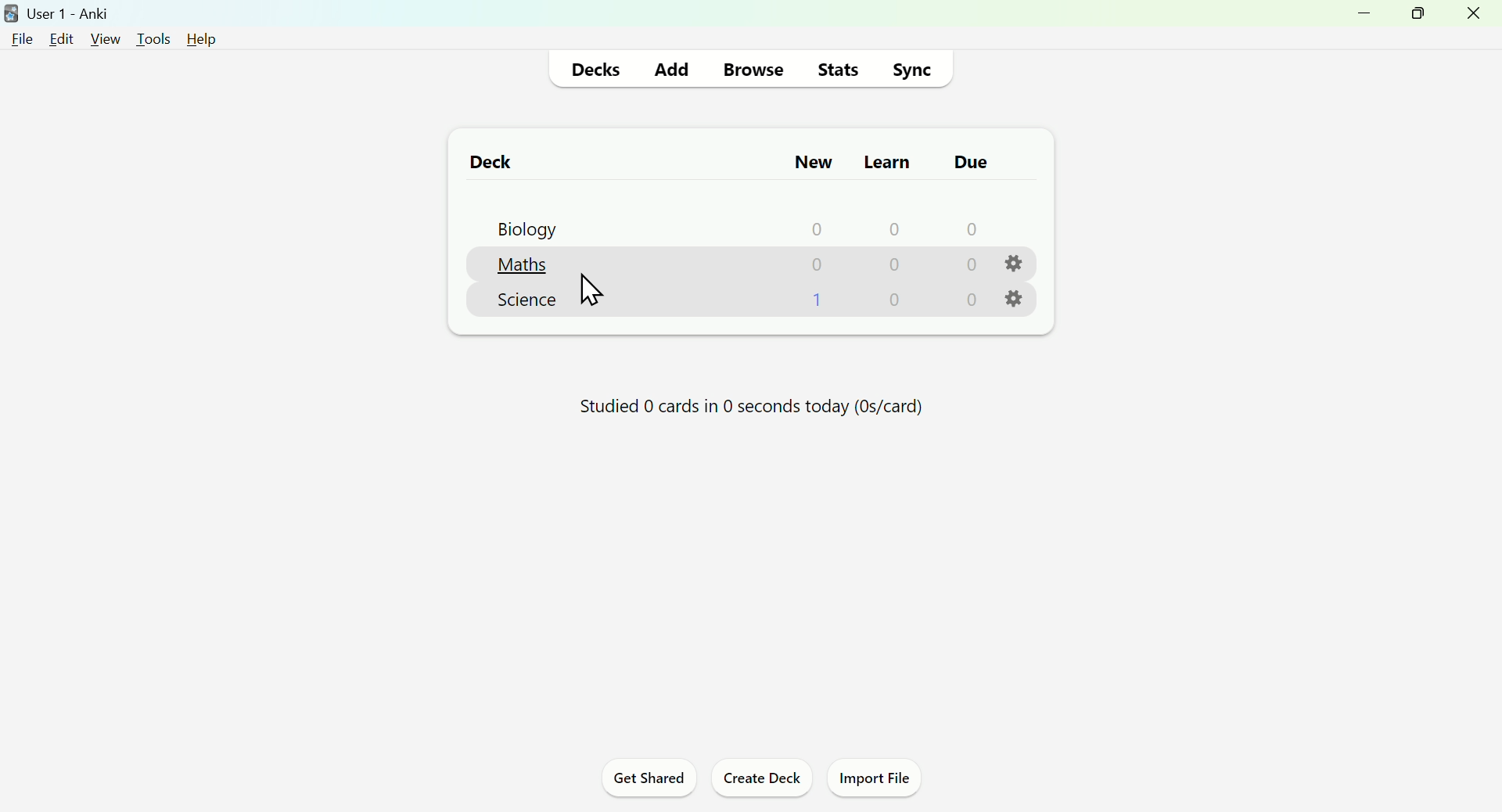 The height and width of the screenshot is (812, 1502). I want to click on Maths, so click(606, 295).